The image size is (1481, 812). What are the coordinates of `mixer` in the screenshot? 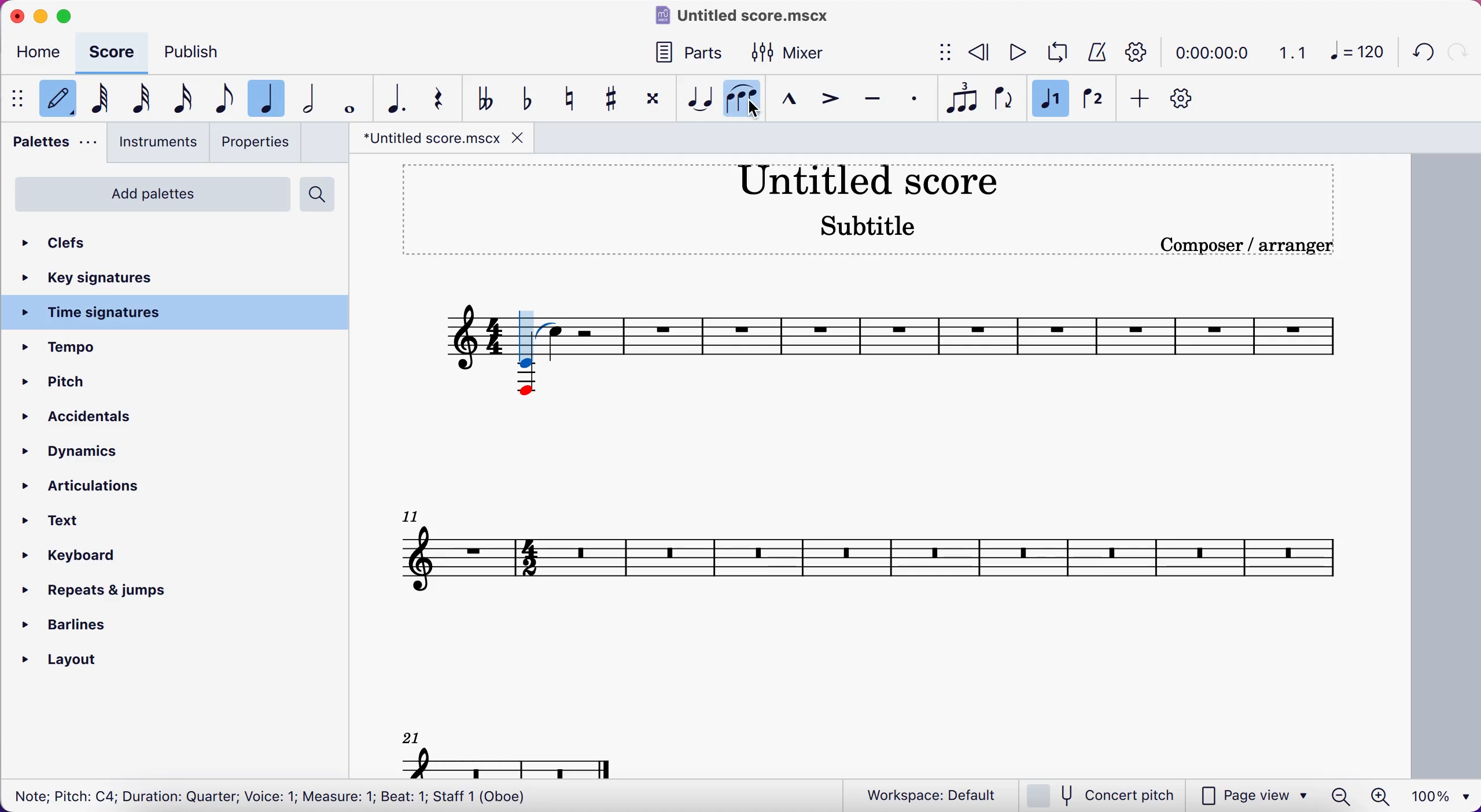 It's located at (793, 53).